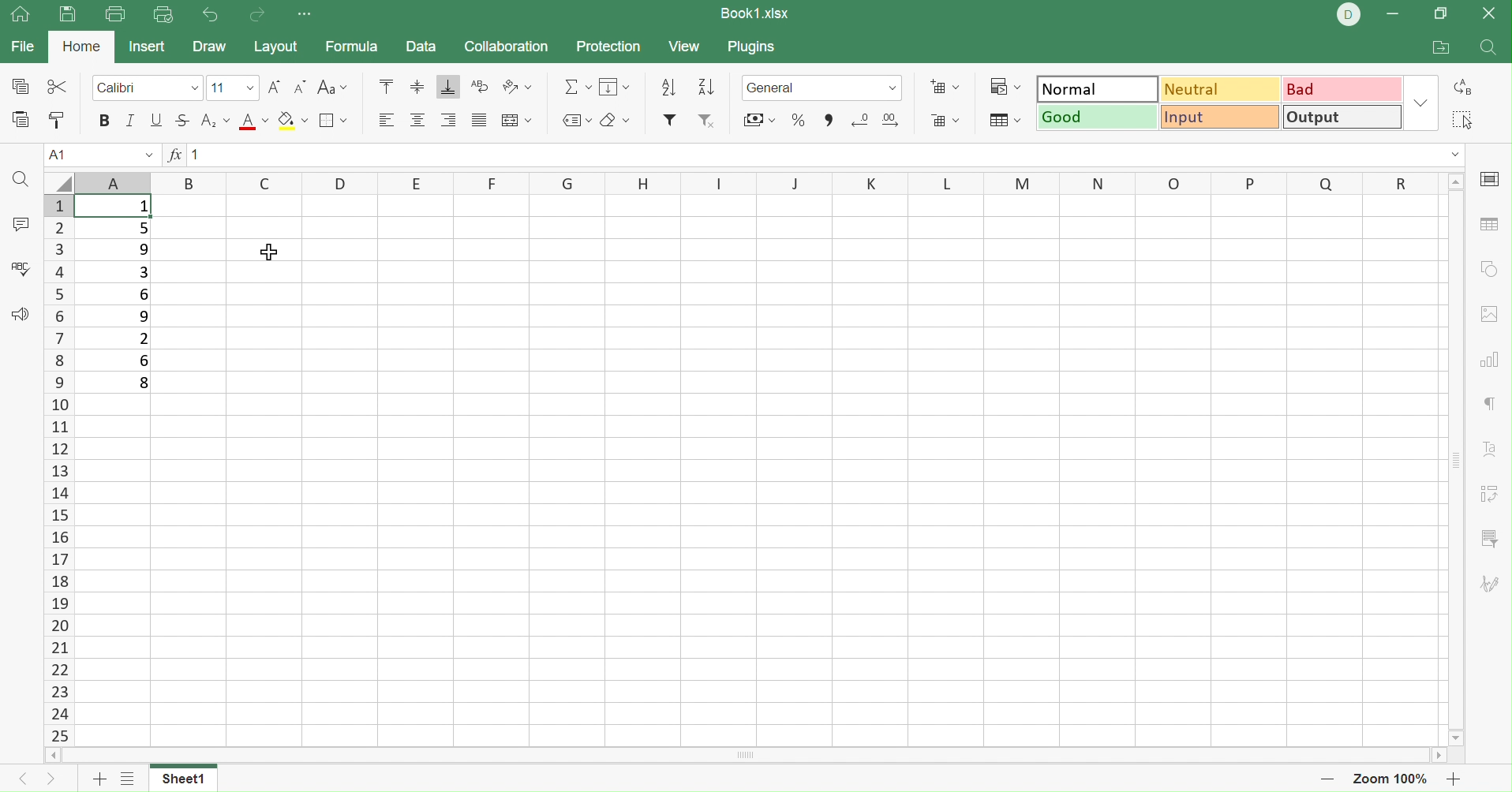  Describe the element at coordinates (141, 340) in the screenshot. I see `2` at that location.